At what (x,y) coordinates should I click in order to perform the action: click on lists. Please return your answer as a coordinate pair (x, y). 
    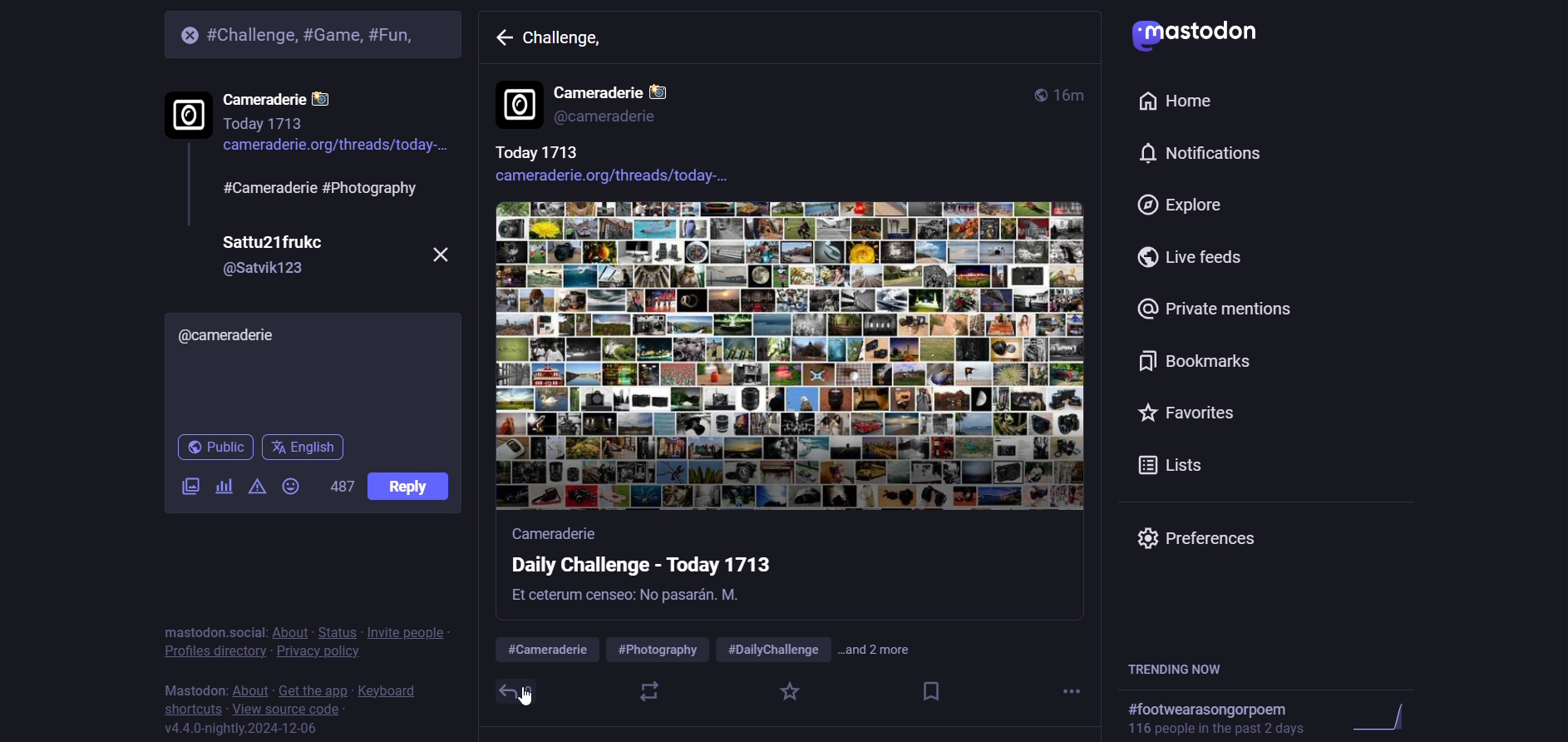
    Looking at the image, I should click on (1171, 463).